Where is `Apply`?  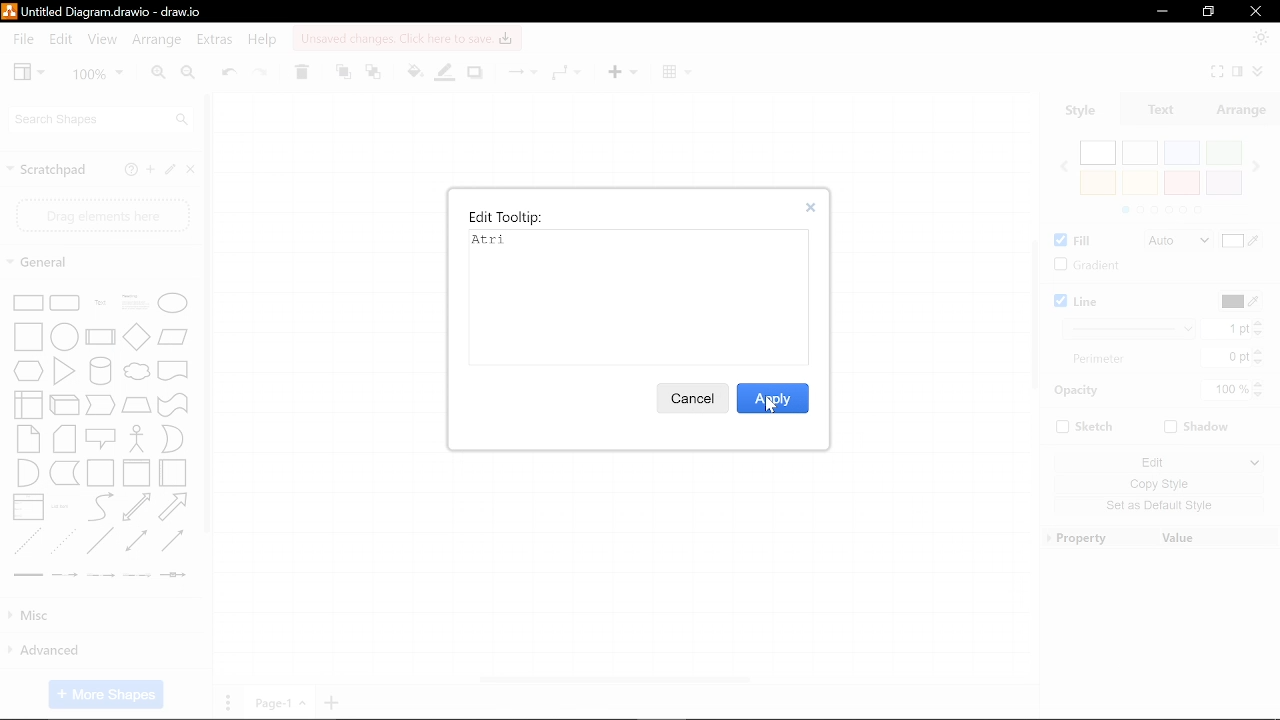
Apply is located at coordinates (774, 398).